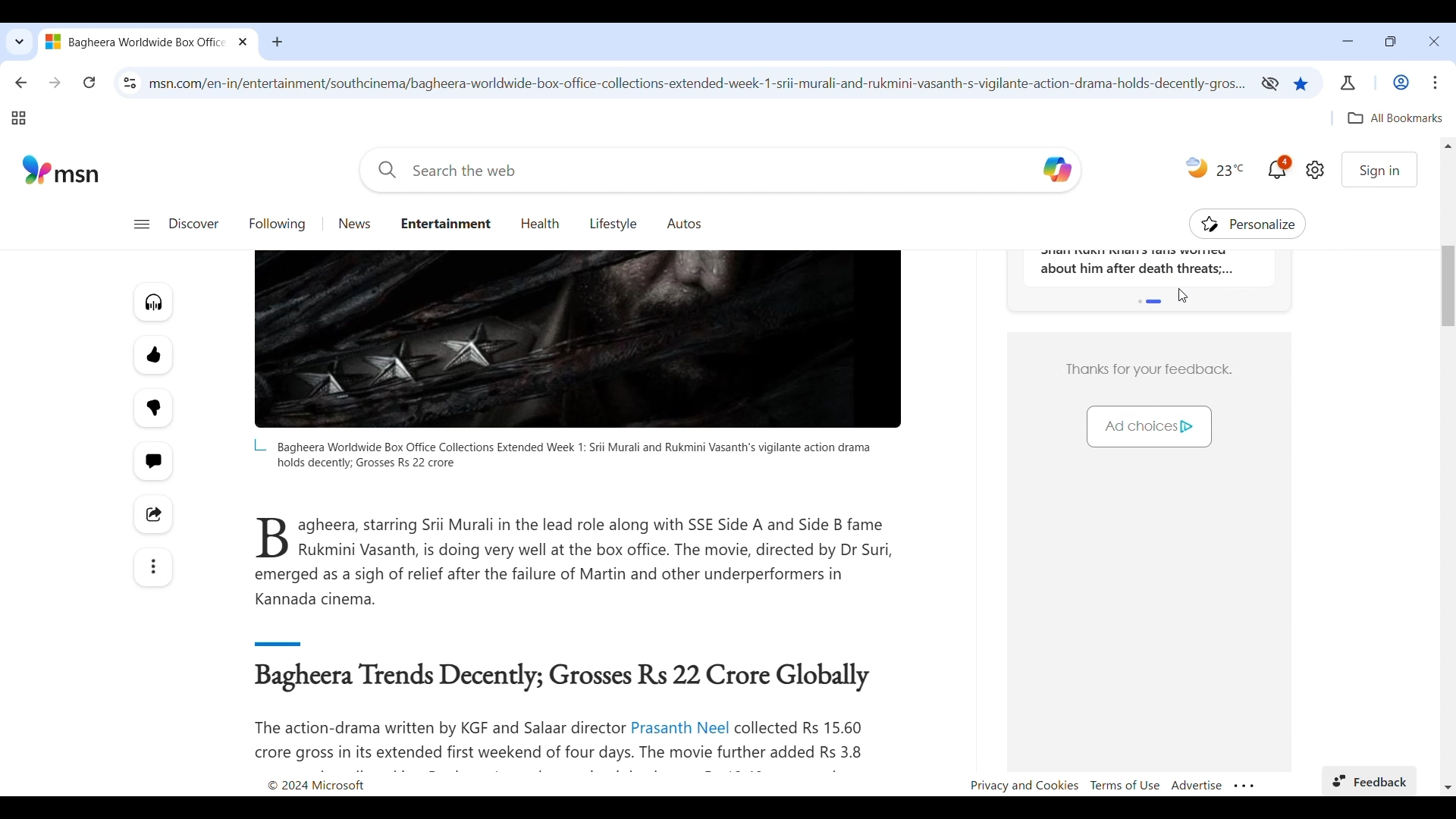 This screenshot has width=1456, height=819. Describe the element at coordinates (1058, 171) in the screenshot. I see `copilot logo` at that location.